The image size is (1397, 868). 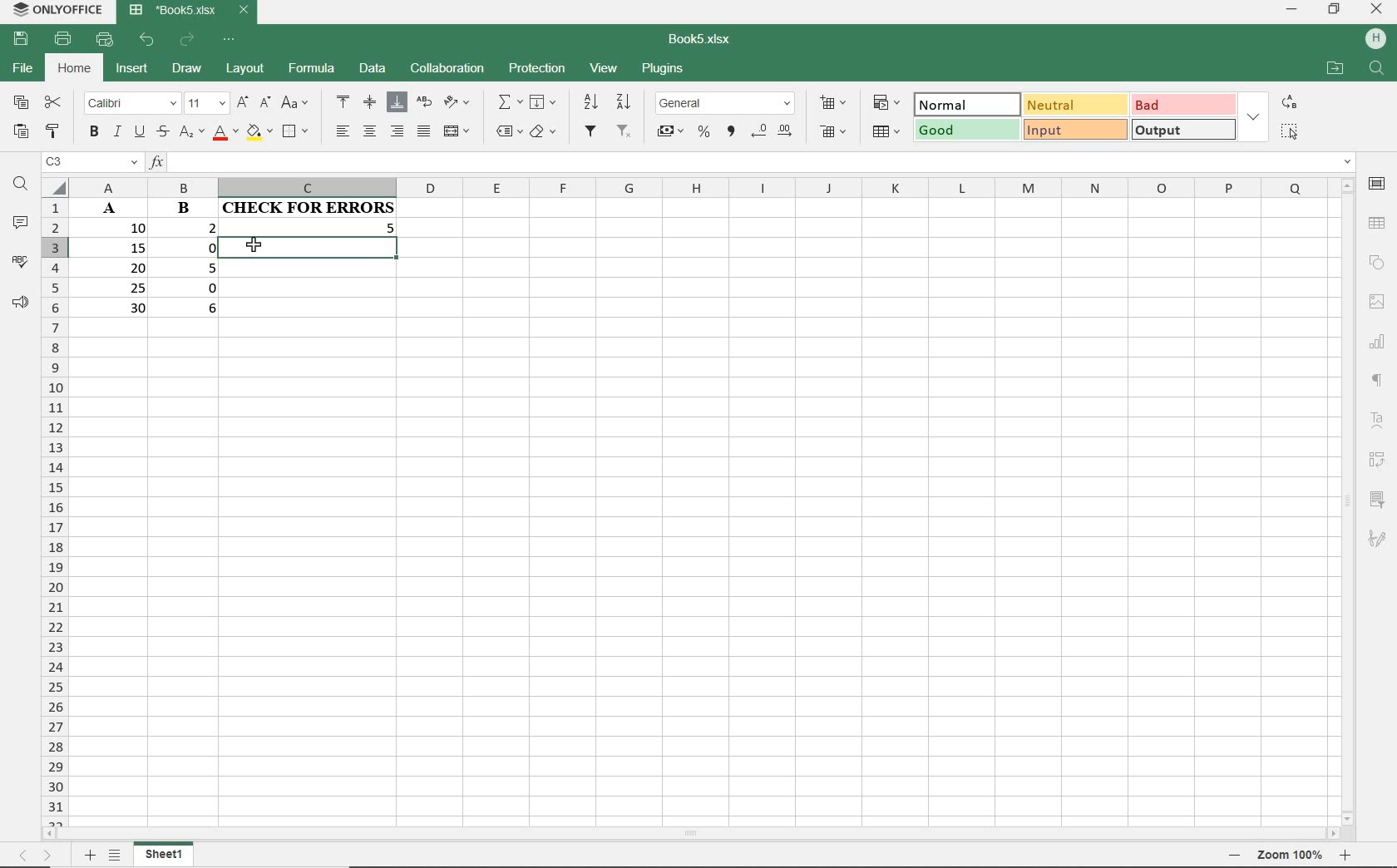 I want to click on SELECT ALL, so click(x=1291, y=133).